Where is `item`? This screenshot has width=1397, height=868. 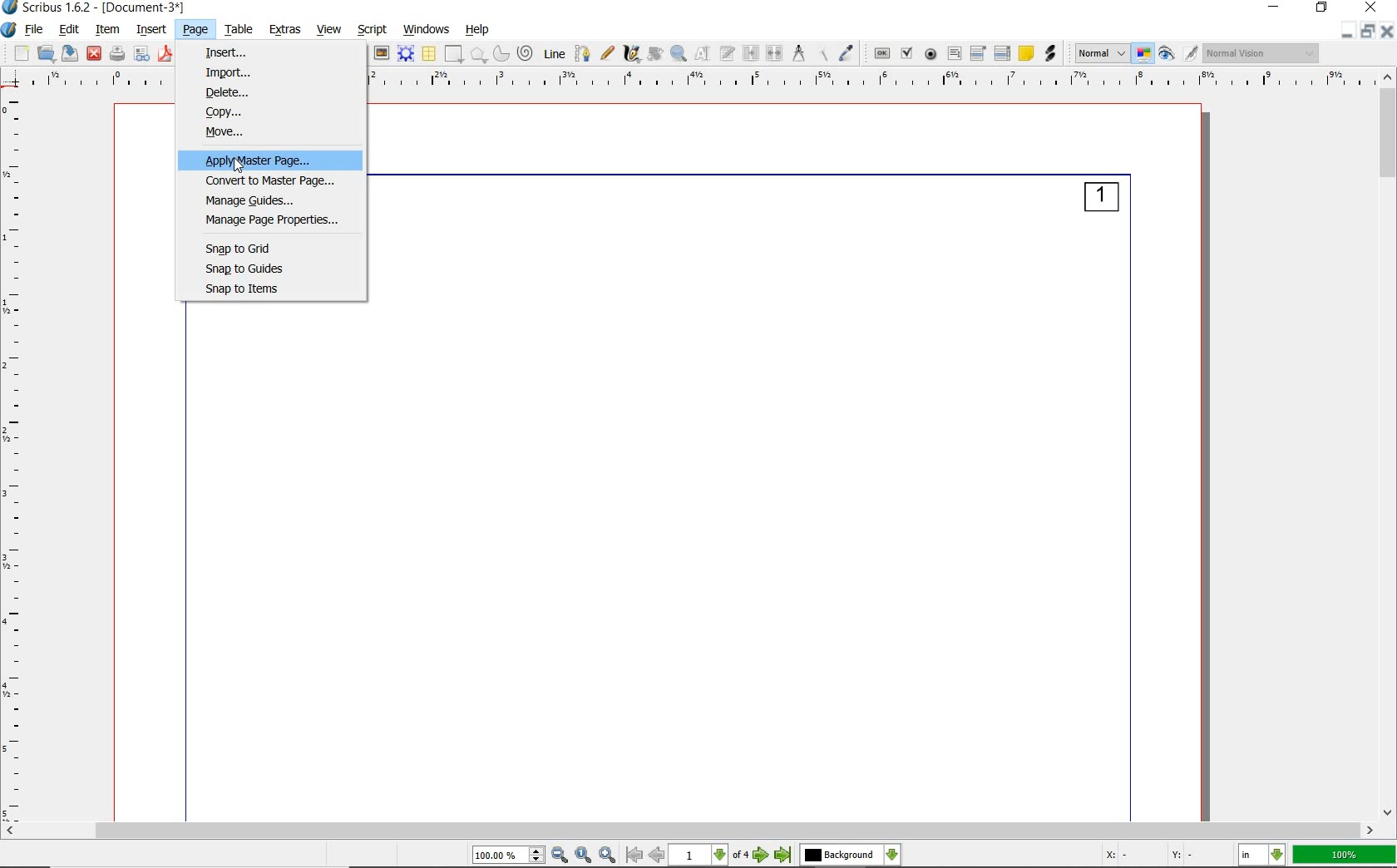
item is located at coordinates (107, 30).